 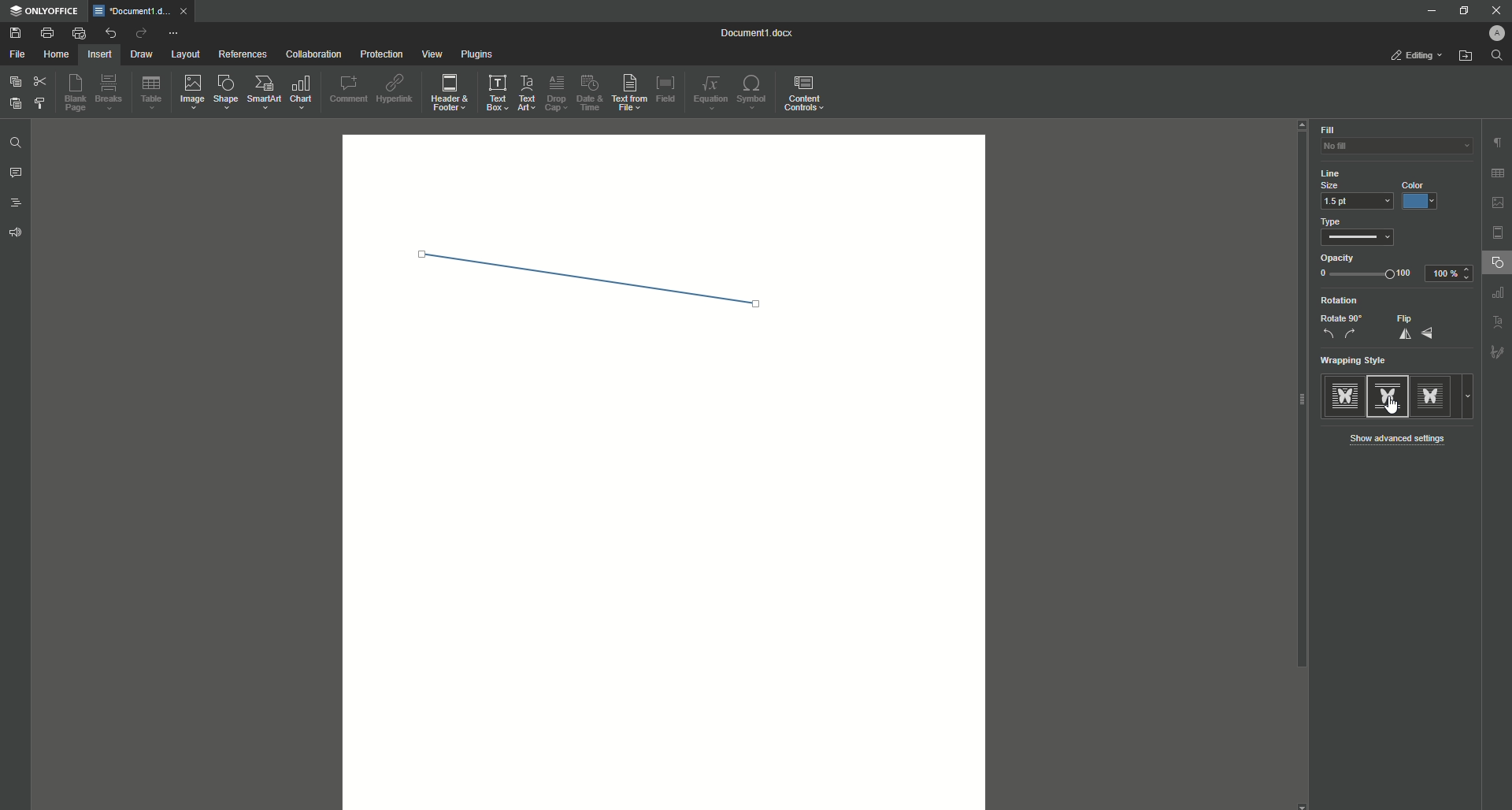 What do you see at coordinates (48, 31) in the screenshot?
I see `` at bounding box center [48, 31].